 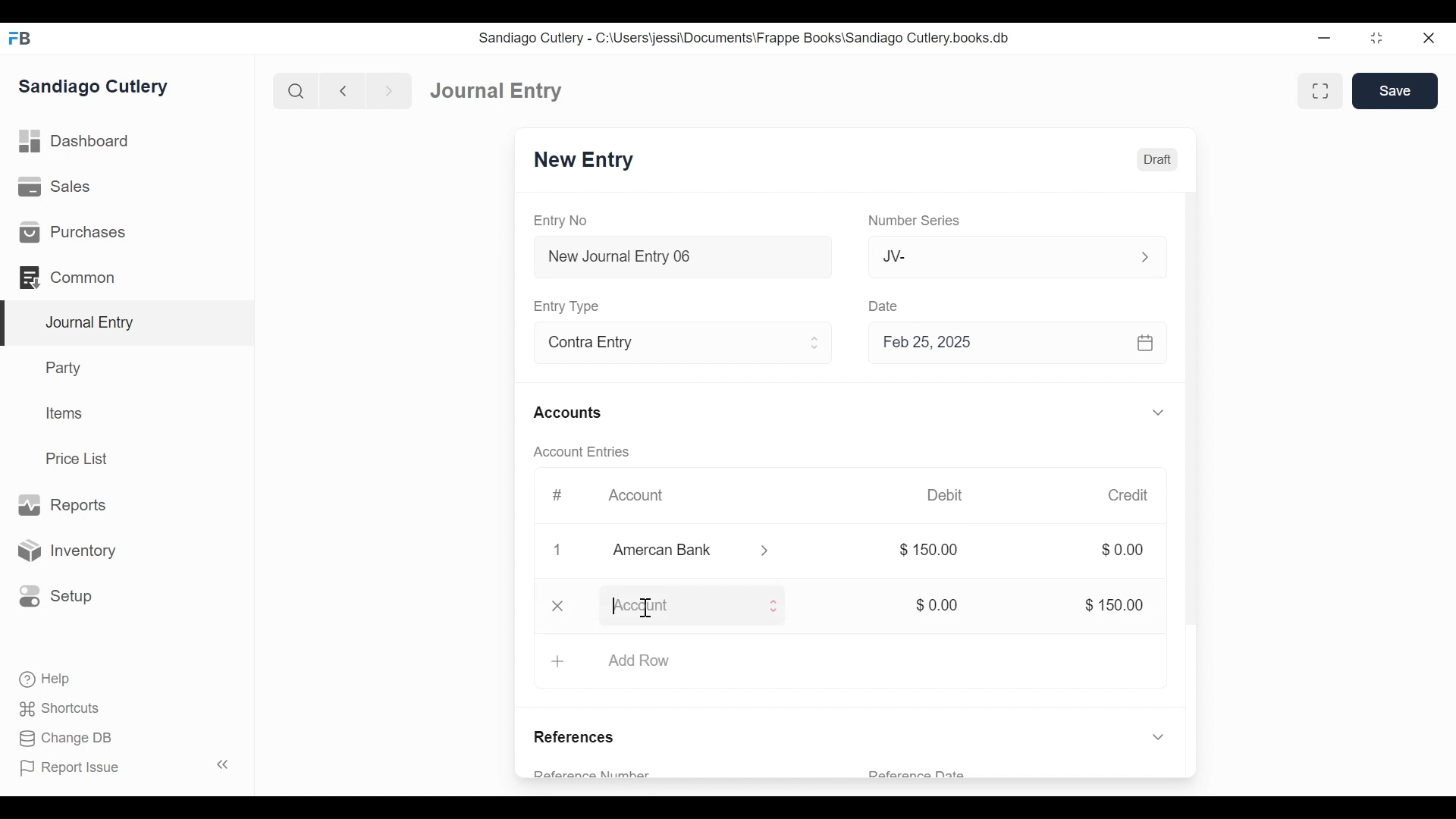 What do you see at coordinates (52, 595) in the screenshot?
I see `Setup` at bounding box center [52, 595].